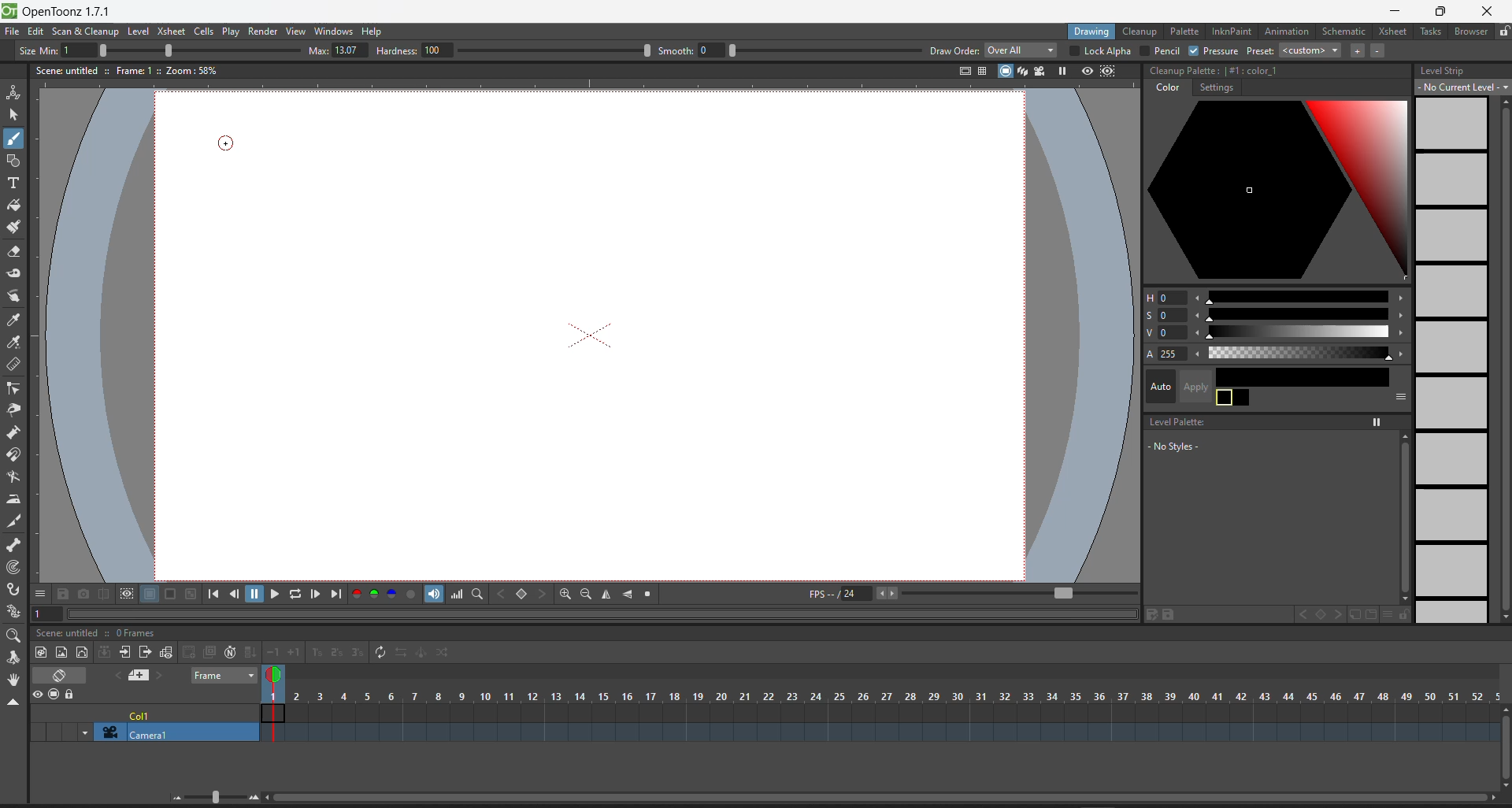 This screenshot has width=1512, height=808. I want to click on hook tool, so click(14, 589).